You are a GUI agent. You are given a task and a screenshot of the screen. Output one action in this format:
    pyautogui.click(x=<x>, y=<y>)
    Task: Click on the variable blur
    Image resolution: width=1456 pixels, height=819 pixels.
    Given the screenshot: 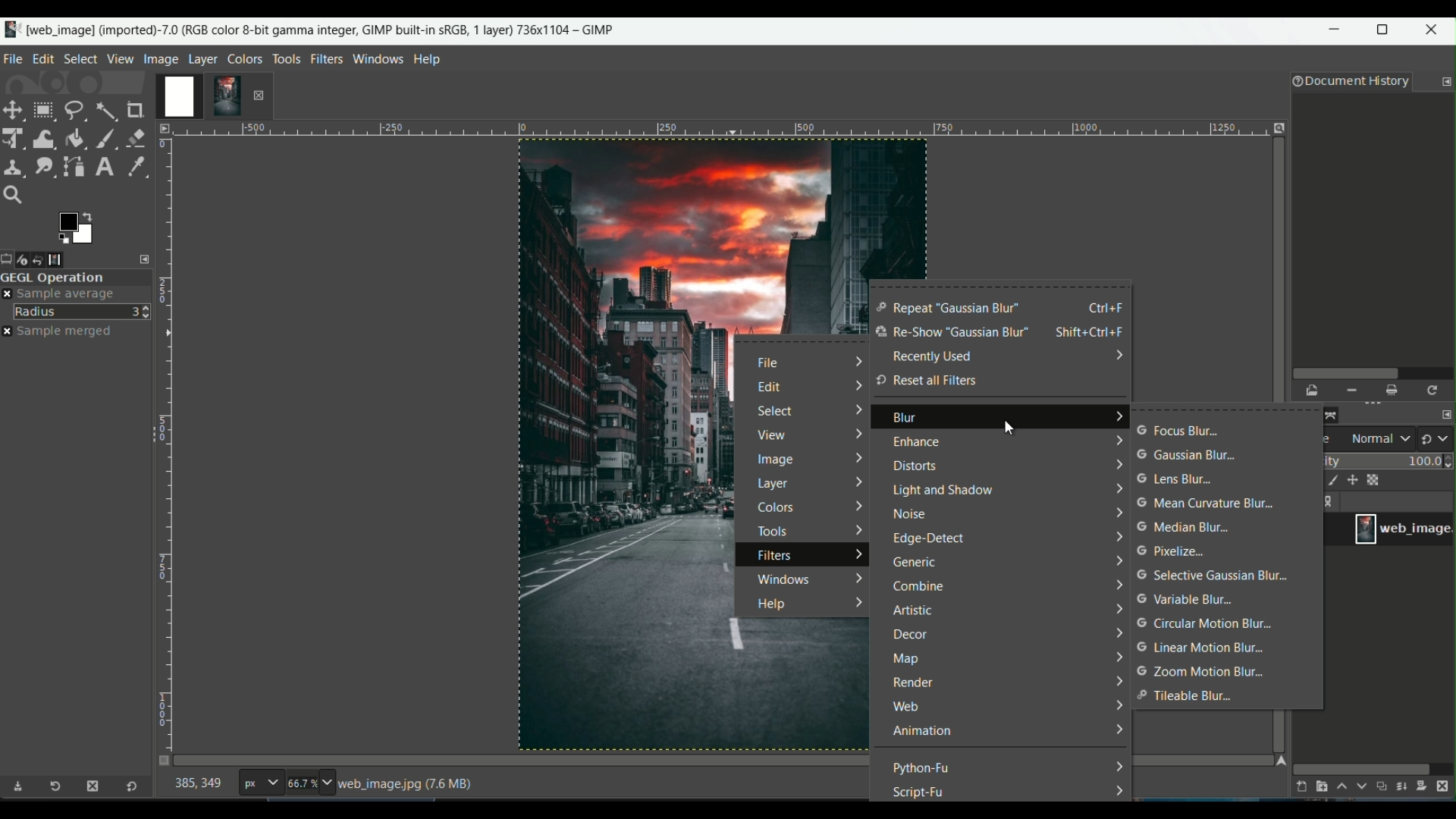 What is the action you would take?
    pyautogui.click(x=1184, y=600)
    